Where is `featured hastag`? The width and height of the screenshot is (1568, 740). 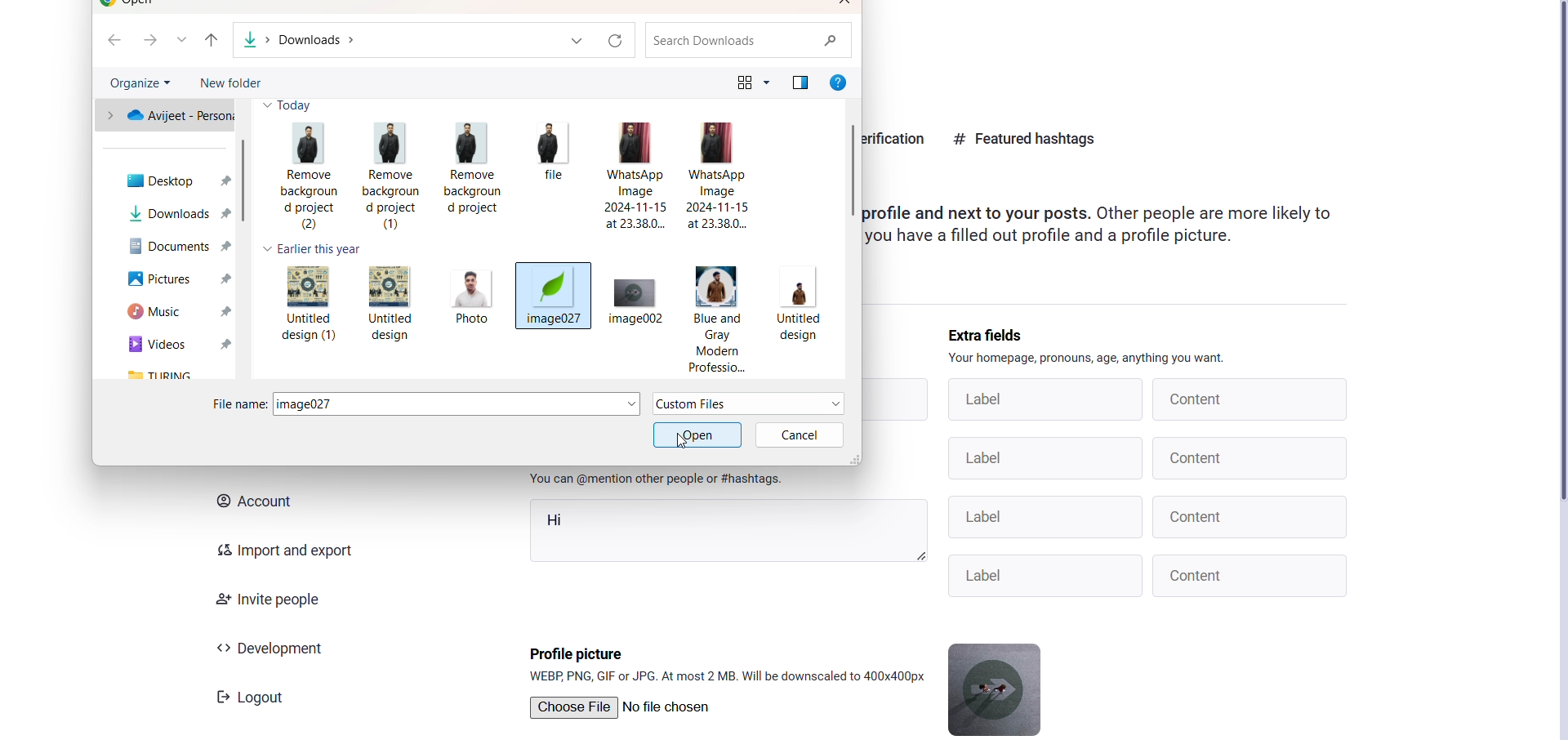 featured hastag is located at coordinates (1026, 137).